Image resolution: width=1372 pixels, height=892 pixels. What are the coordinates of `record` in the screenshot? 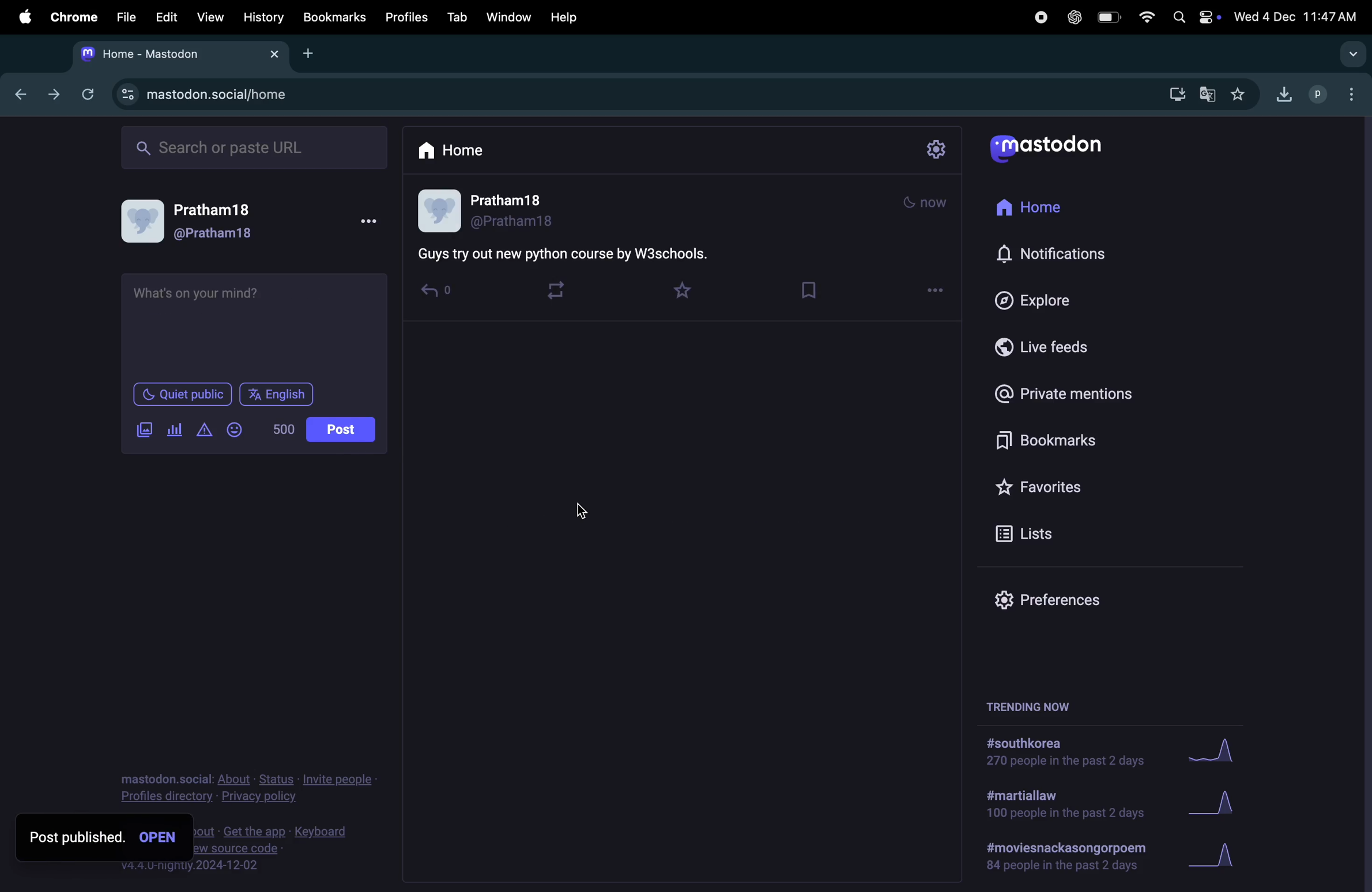 It's located at (1039, 17).